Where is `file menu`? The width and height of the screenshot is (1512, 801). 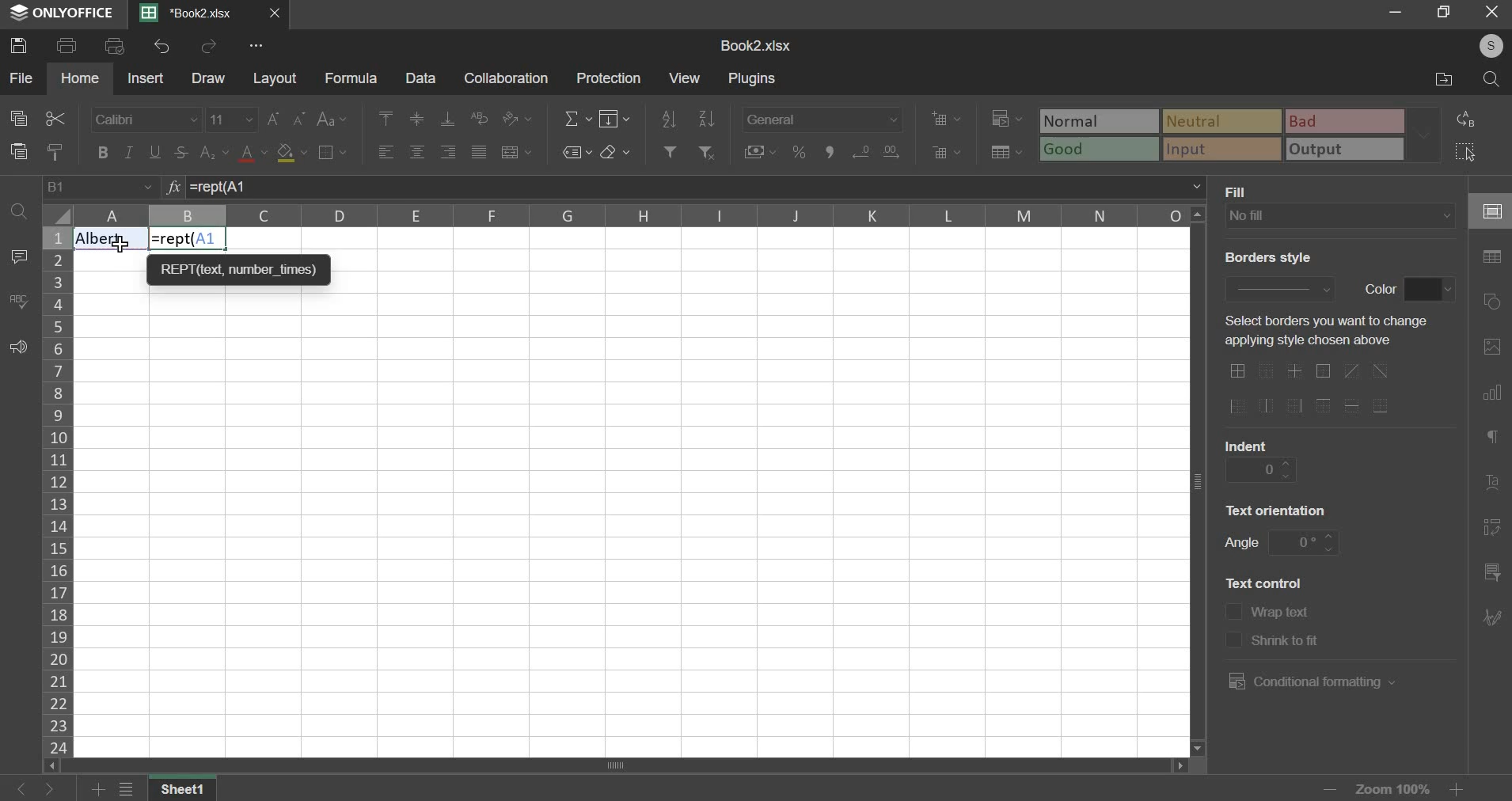 file menu is located at coordinates (127, 789).